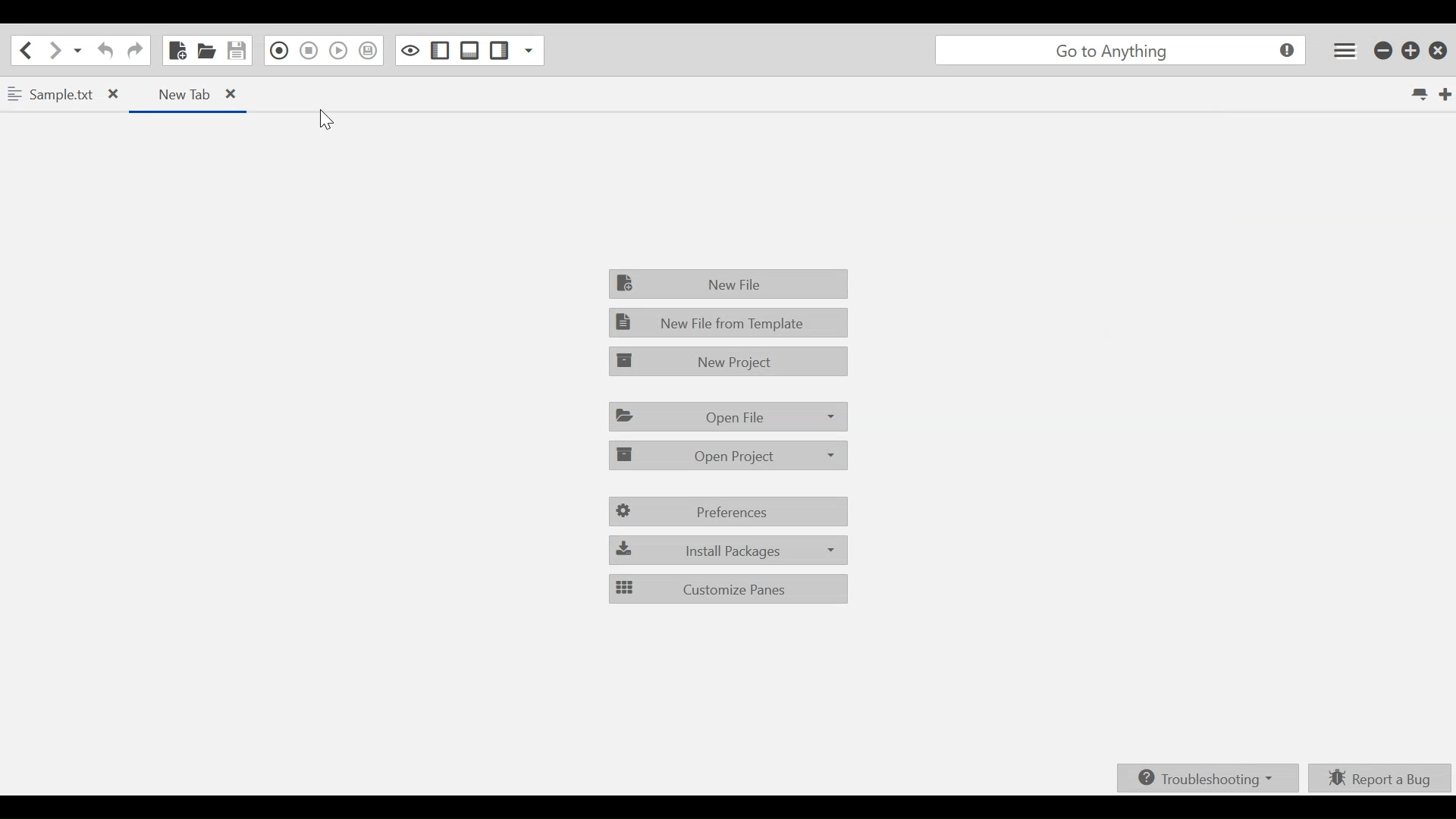 This screenshot has width=1456, height=819. Describe the element at coordinates (726, 416) in the screenshot. I see `Open File` at that location.